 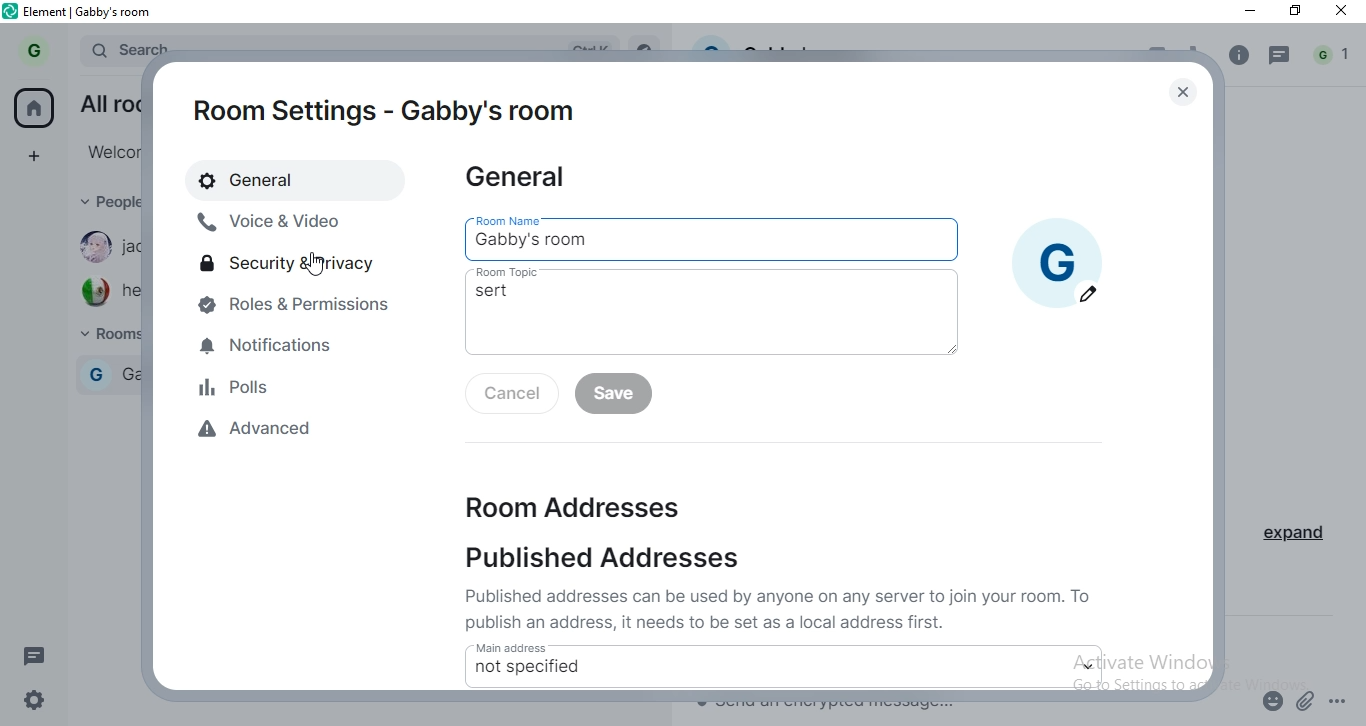 I want to click on jackmama, so click(x=133, y=246).